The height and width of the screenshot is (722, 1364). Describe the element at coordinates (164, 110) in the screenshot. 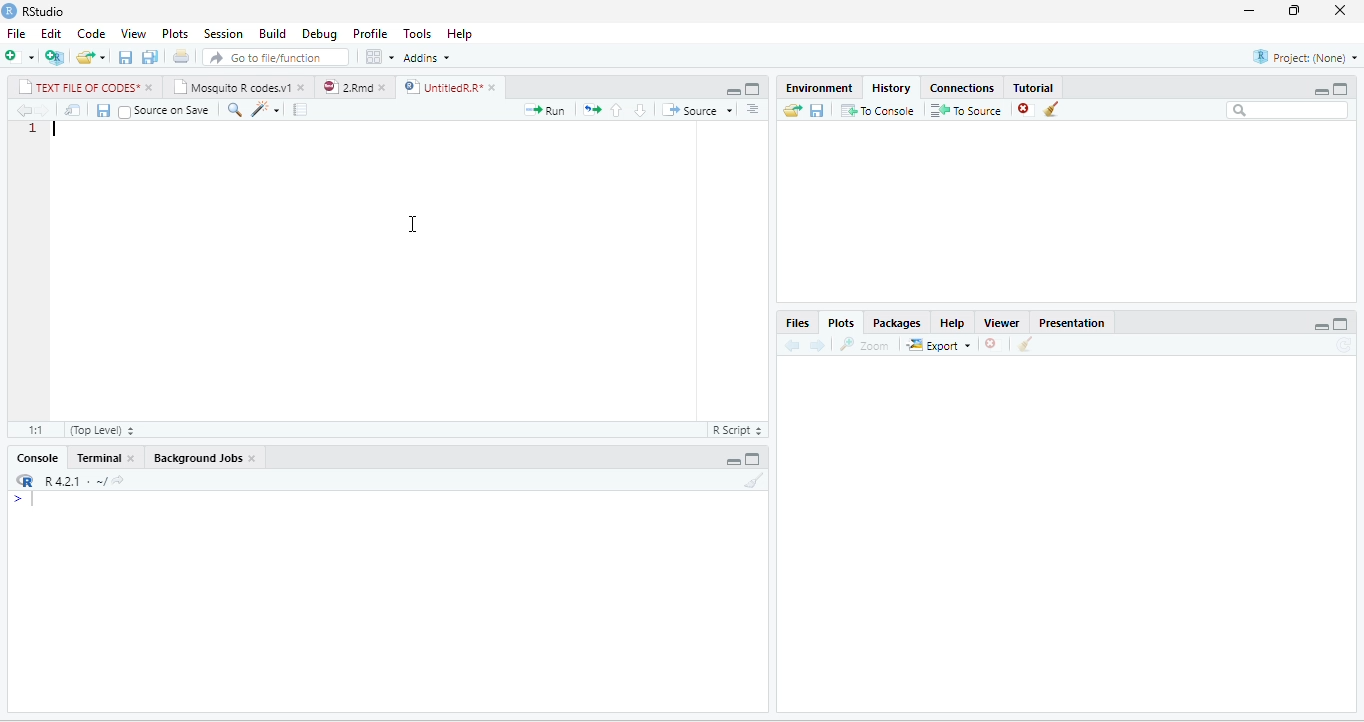

I see `Source on Save` at that location.